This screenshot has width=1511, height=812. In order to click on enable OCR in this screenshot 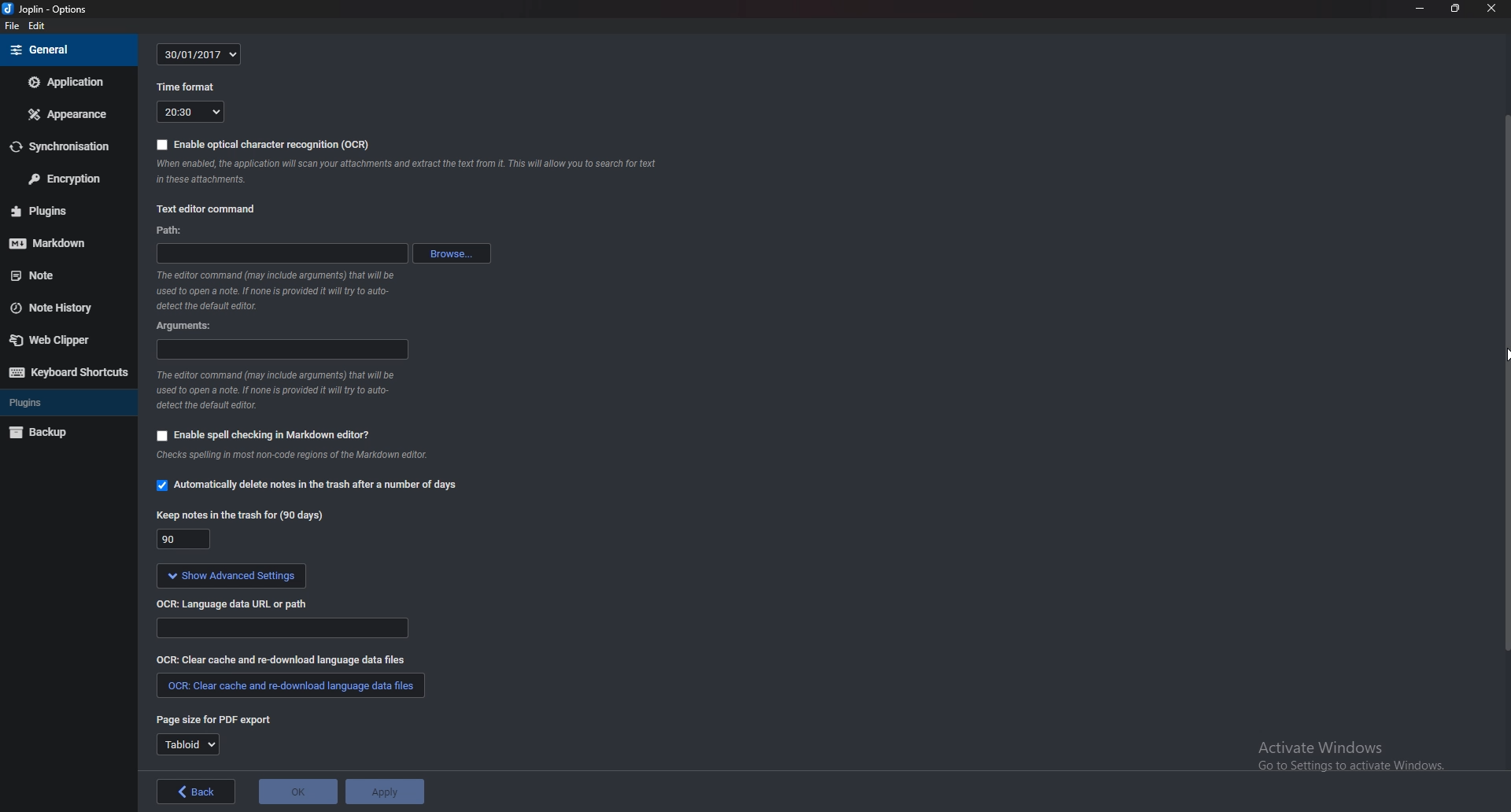, I will do `click(260, 144)`.